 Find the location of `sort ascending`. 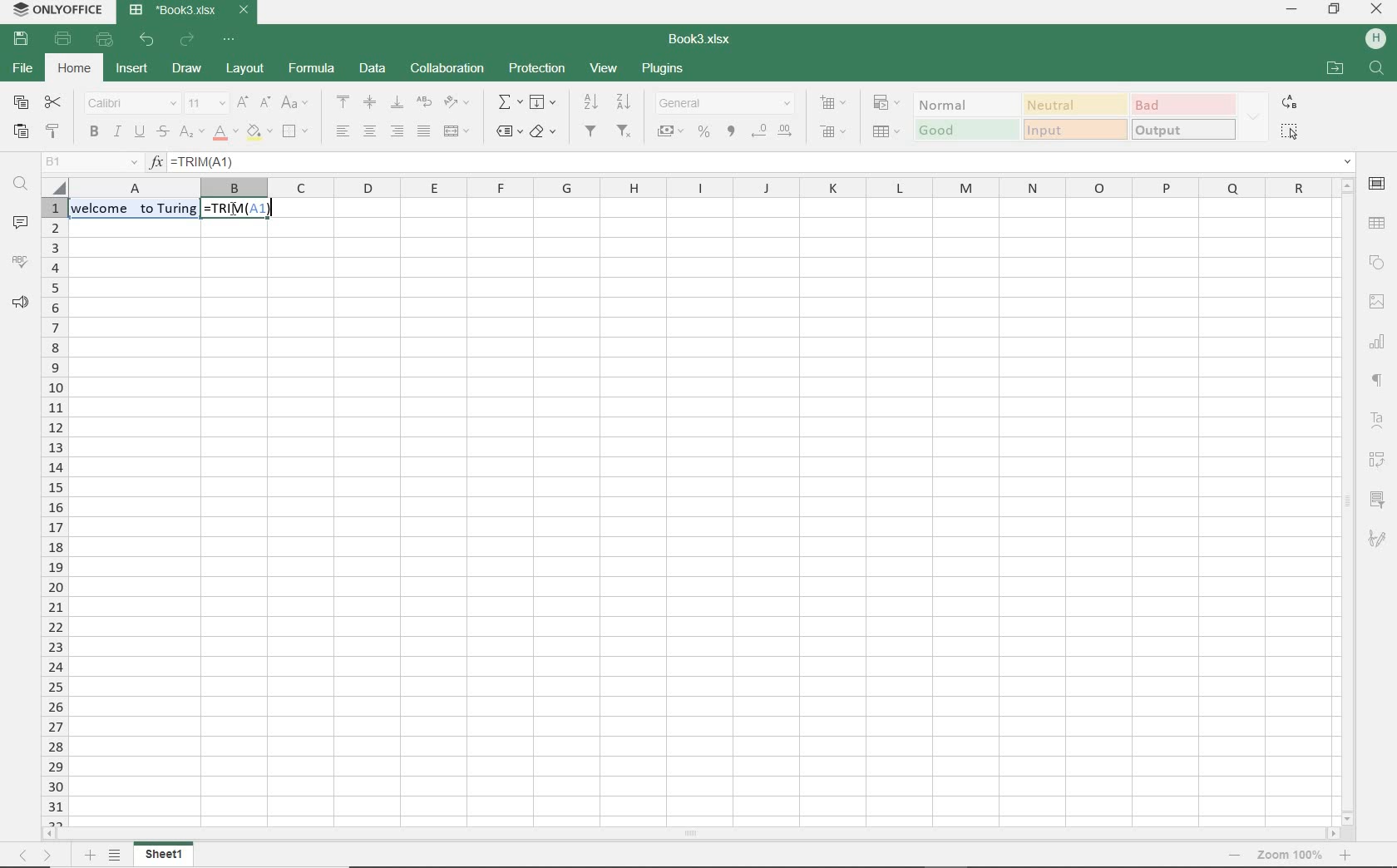

sort ascending is located at coordinates (591, 102).